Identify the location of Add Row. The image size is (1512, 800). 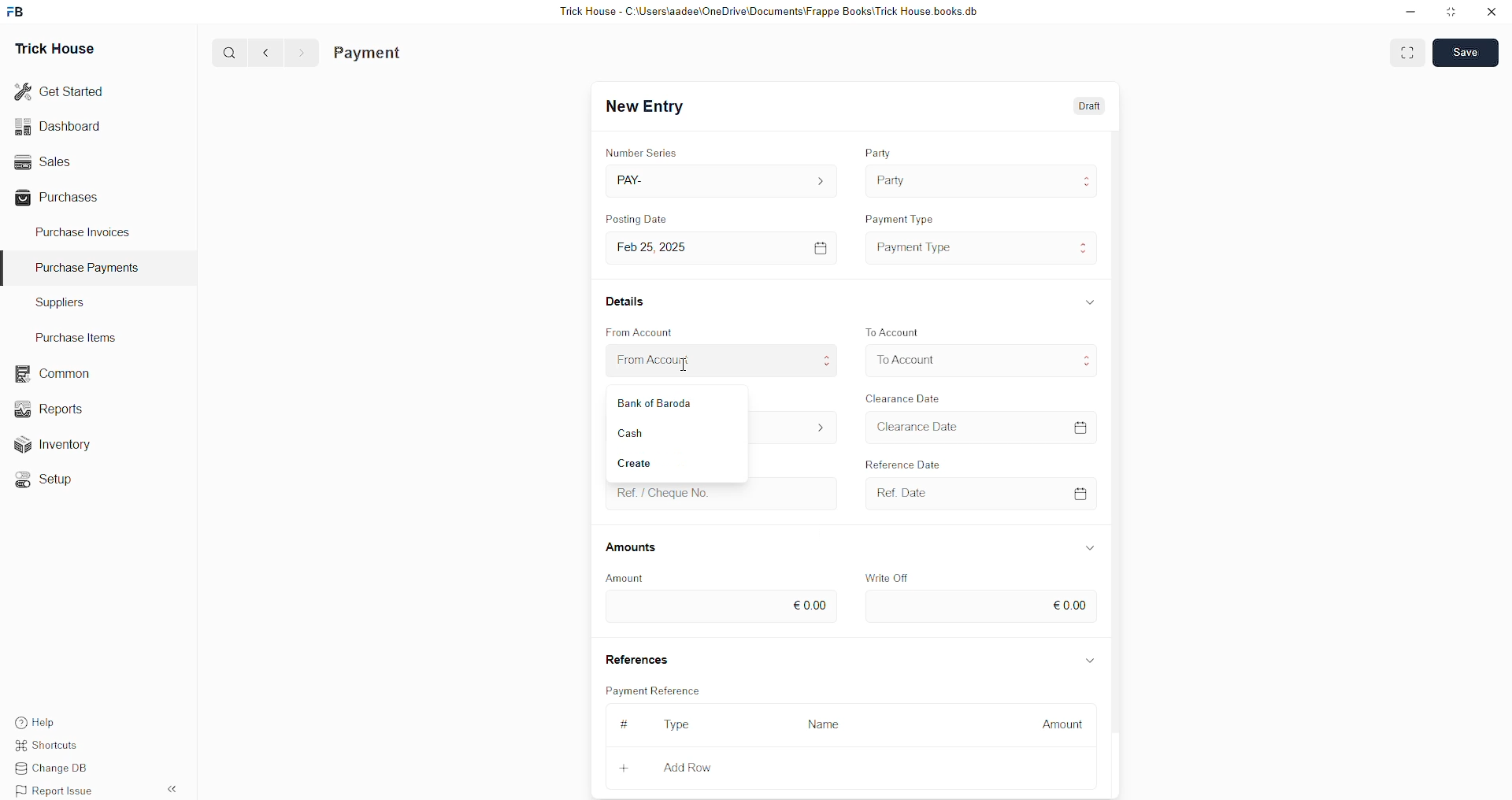
(688, 767).